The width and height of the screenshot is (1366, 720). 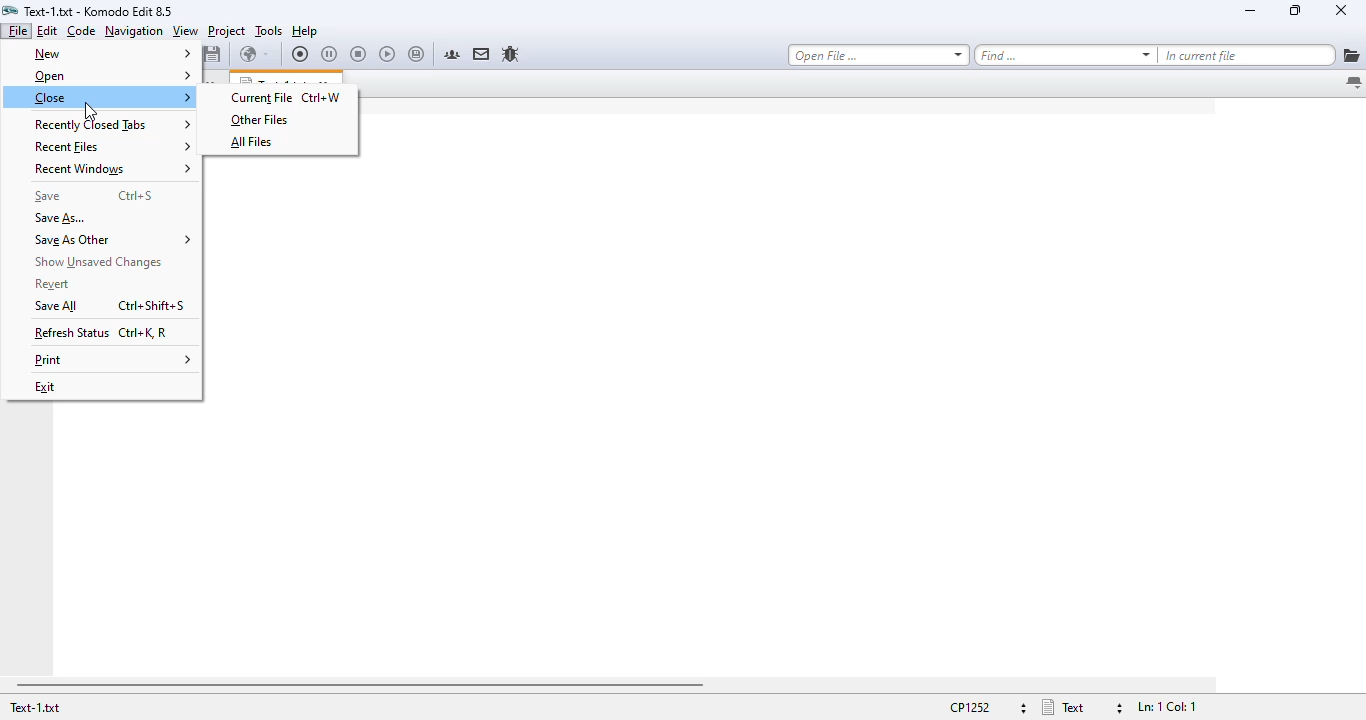 I want to click on current file, so click(x=260, y=97).